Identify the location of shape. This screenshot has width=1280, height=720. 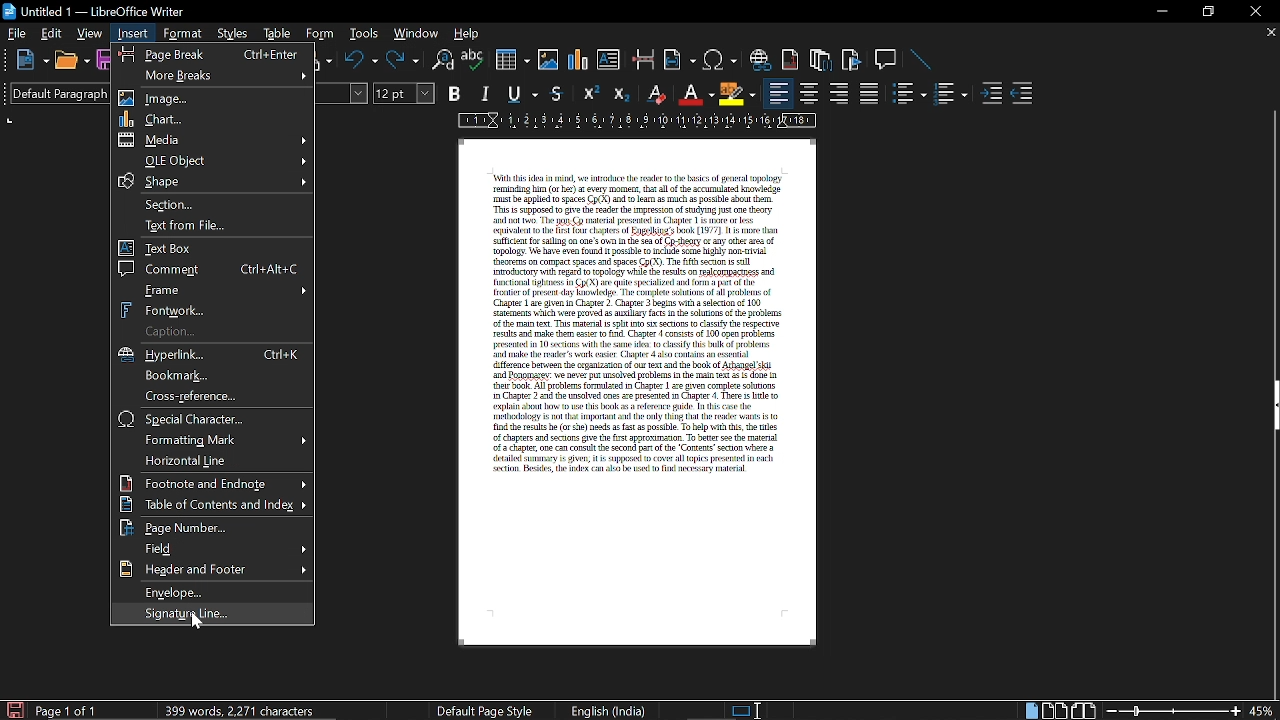
(212, 181).